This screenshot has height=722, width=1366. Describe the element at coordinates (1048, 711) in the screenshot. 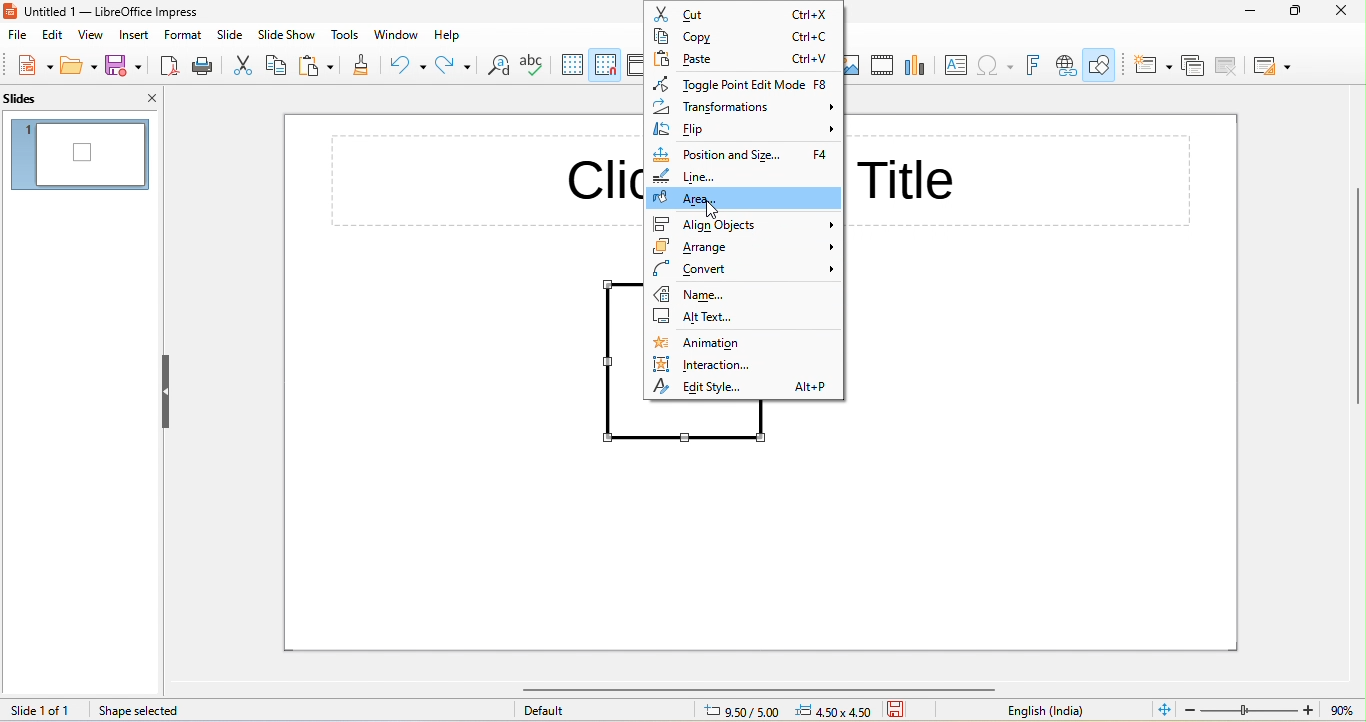

I see `english` at that location.